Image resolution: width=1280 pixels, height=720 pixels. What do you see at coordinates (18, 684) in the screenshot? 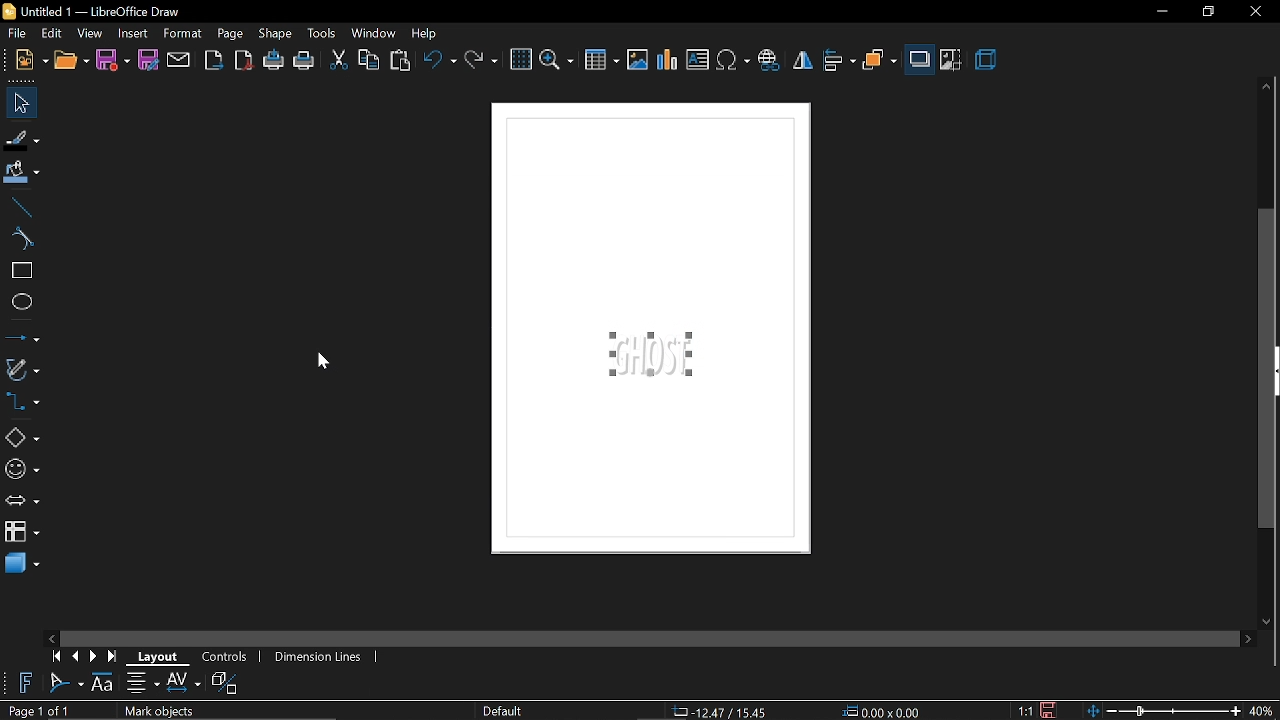
I see `Insert fontwork` at bounding box center [18, 684].